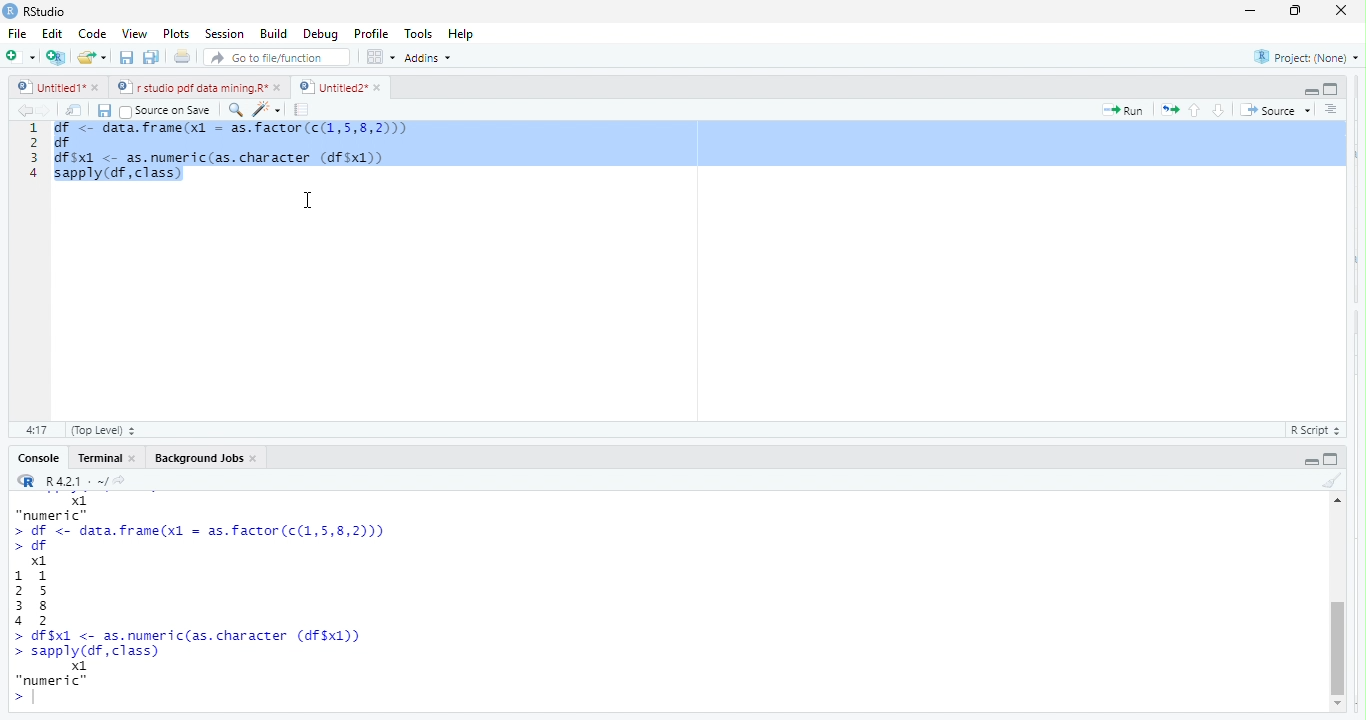 This screenshot has height=720, width=1366. I want to click on (Top Level) , so click(100, 430).